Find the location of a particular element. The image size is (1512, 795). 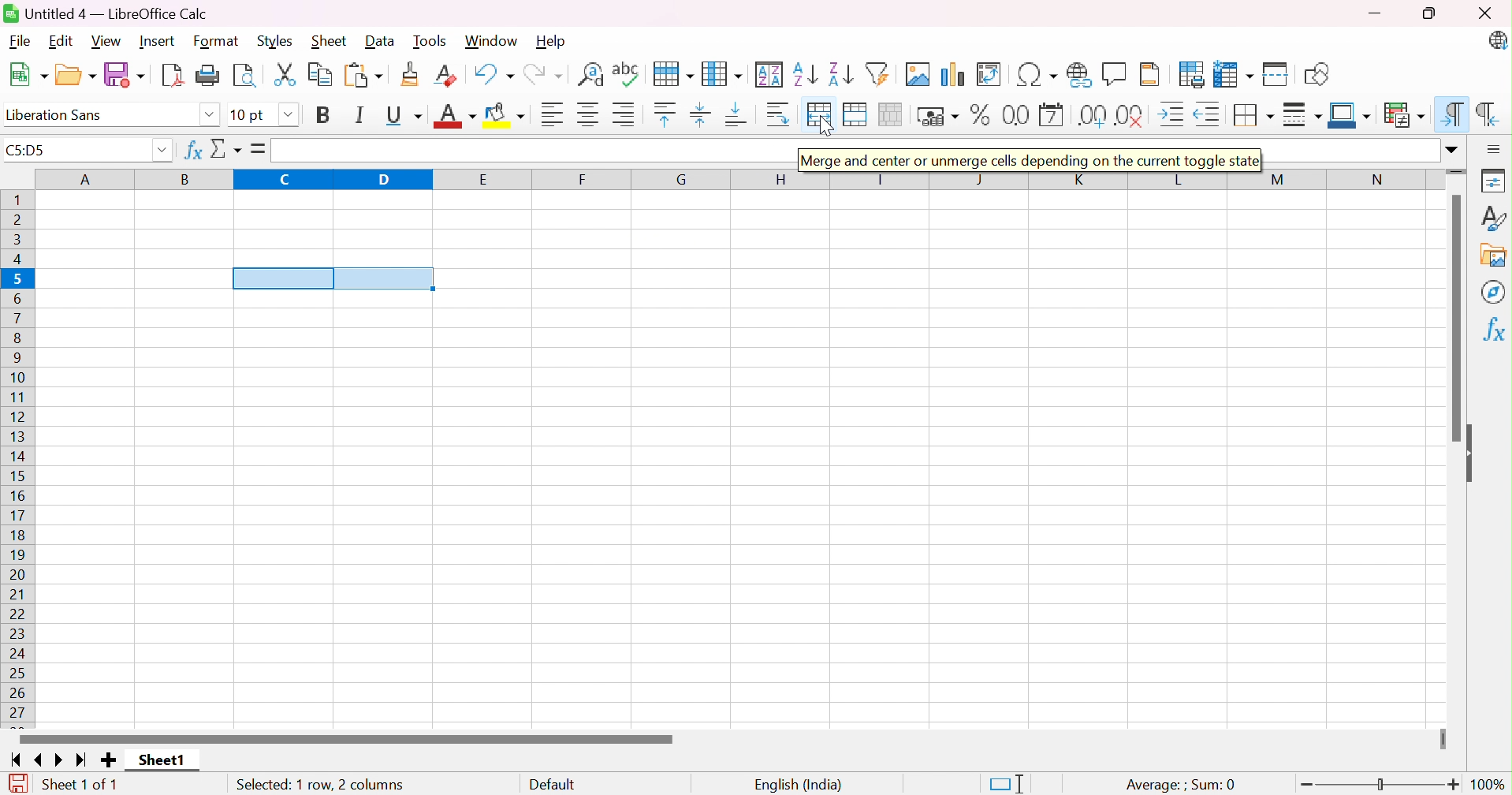

Center Vertically is located at coordinates (702, 114).